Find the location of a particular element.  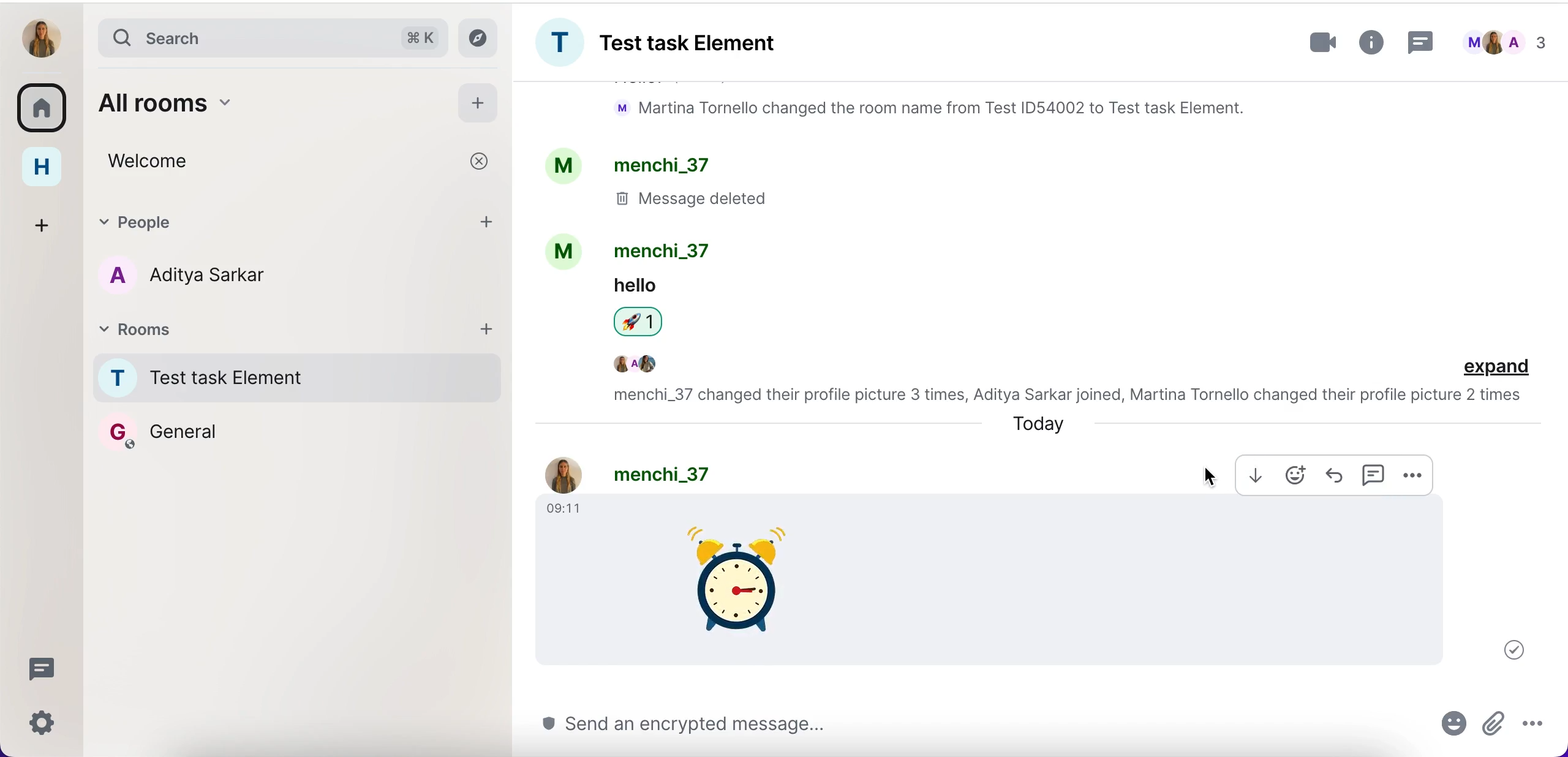

room group is located at coordinates (697, 43).